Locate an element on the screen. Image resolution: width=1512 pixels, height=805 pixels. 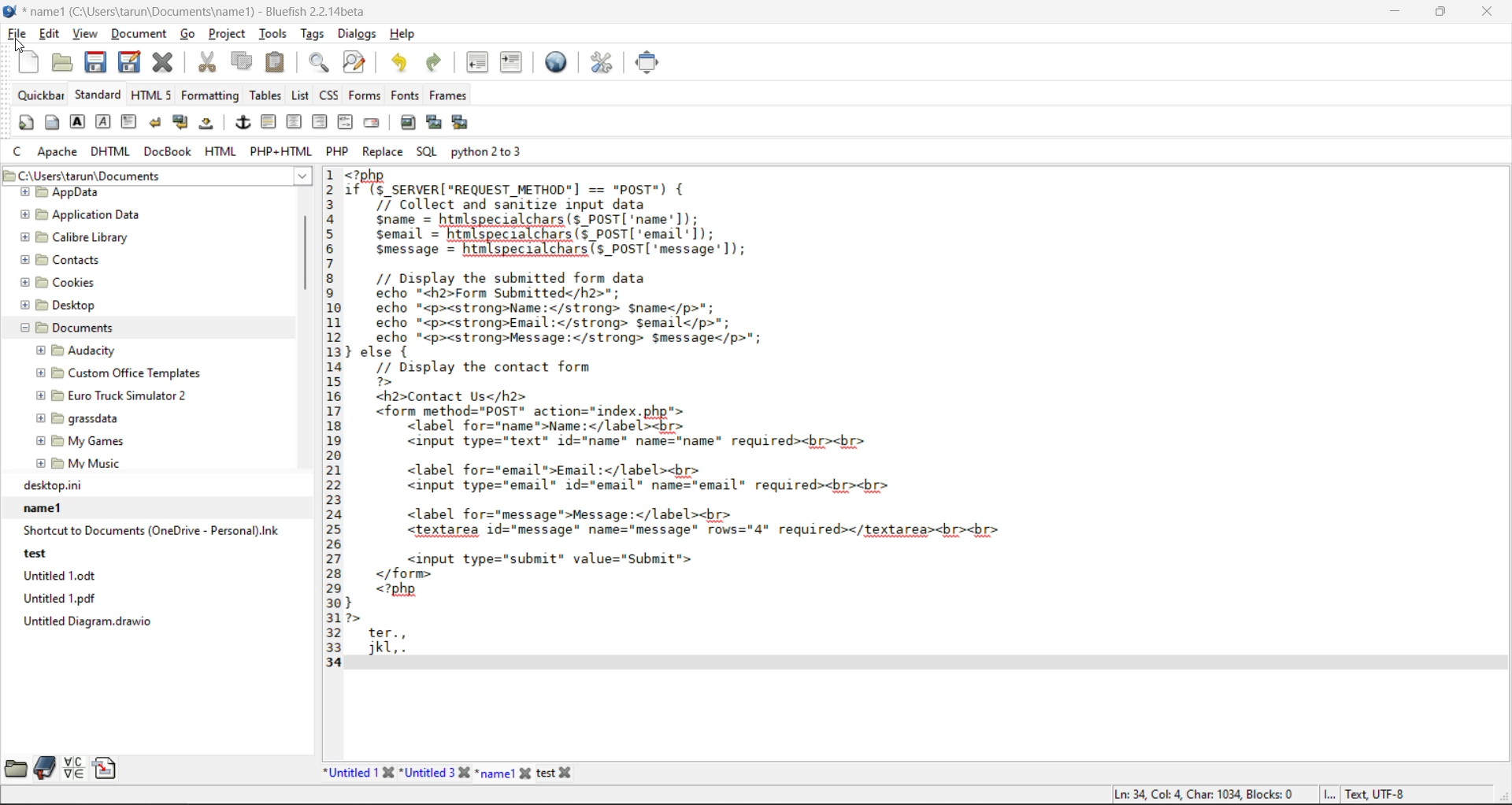
replace is located at coordinates (382, 153).